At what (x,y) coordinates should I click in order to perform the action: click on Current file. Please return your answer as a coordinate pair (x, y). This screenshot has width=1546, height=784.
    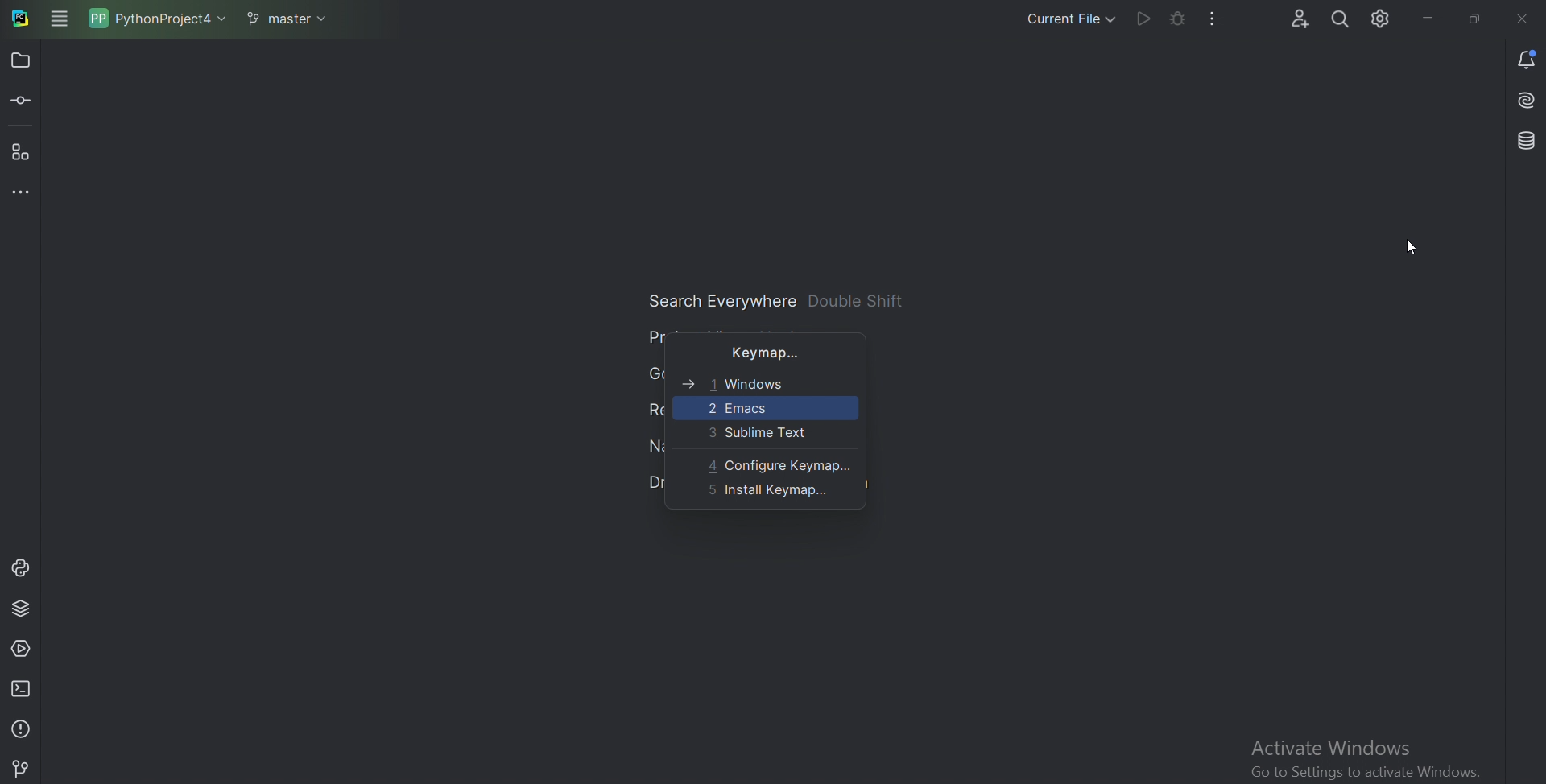
    Looking at the image, I should click on (1055, 19).